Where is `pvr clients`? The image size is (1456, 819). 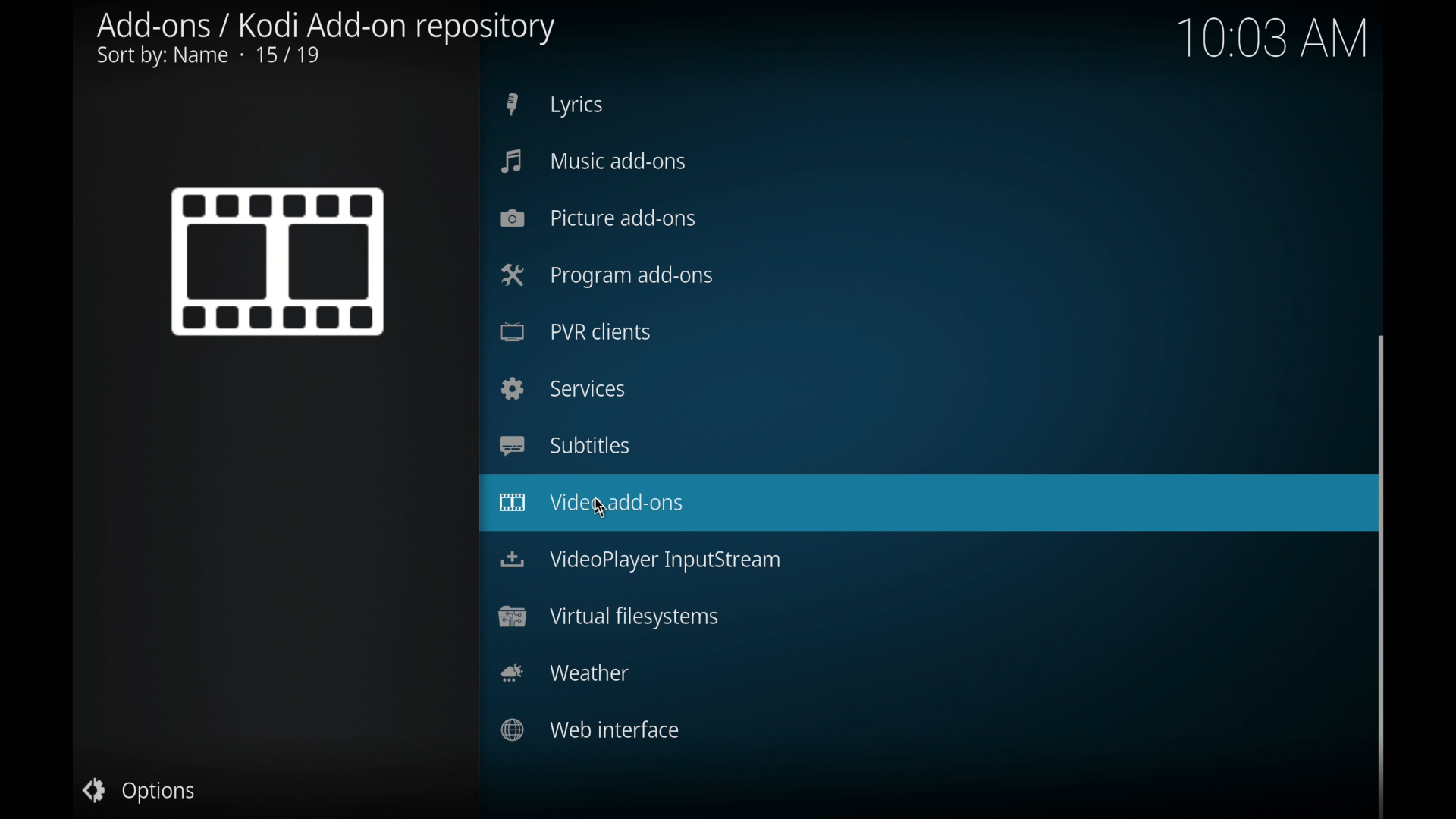
pvr clients is located at coordinates (576, 331).